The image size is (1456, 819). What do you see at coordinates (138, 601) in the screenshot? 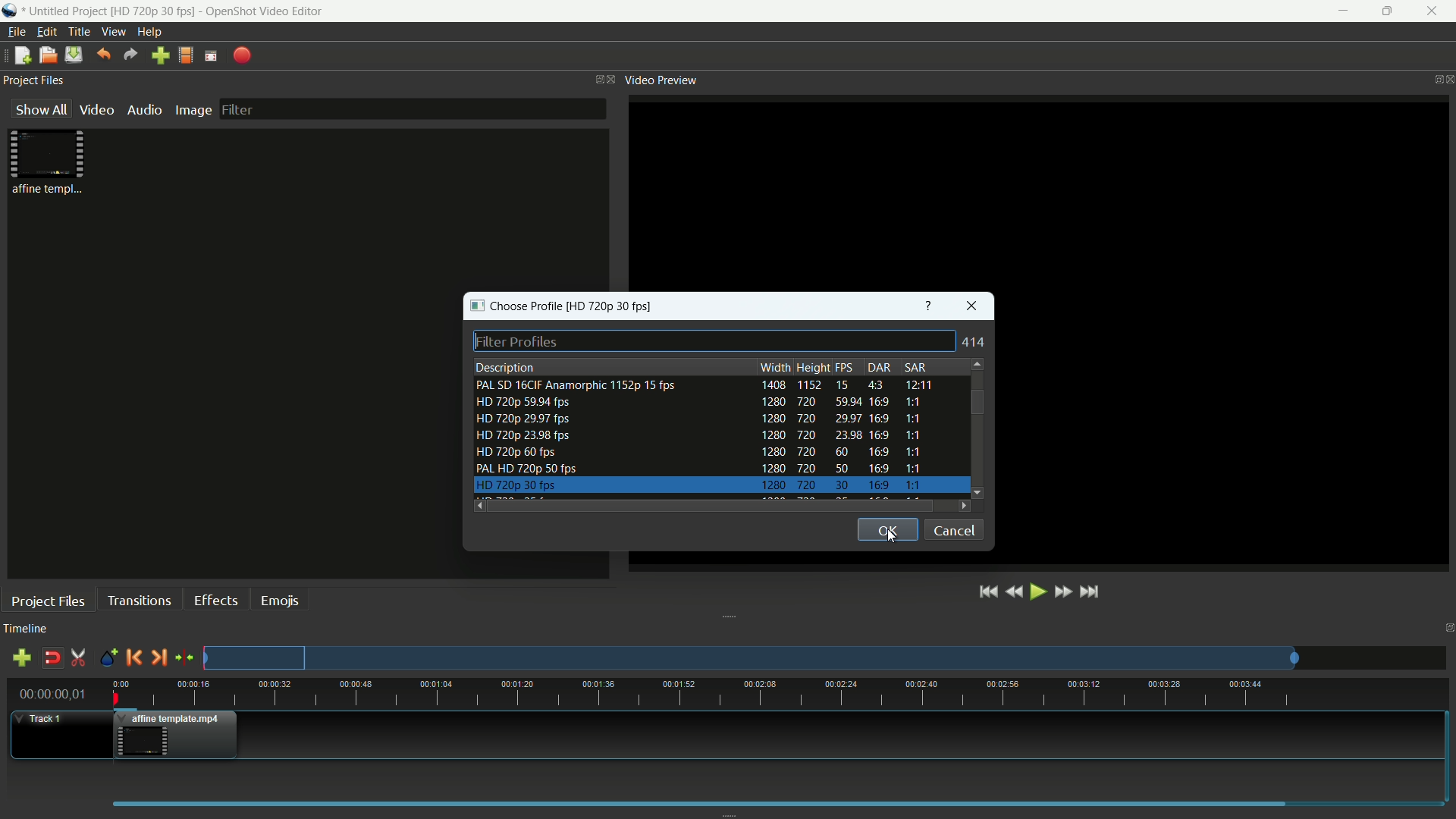
I see `transitions` at bounding box center [138, 601].